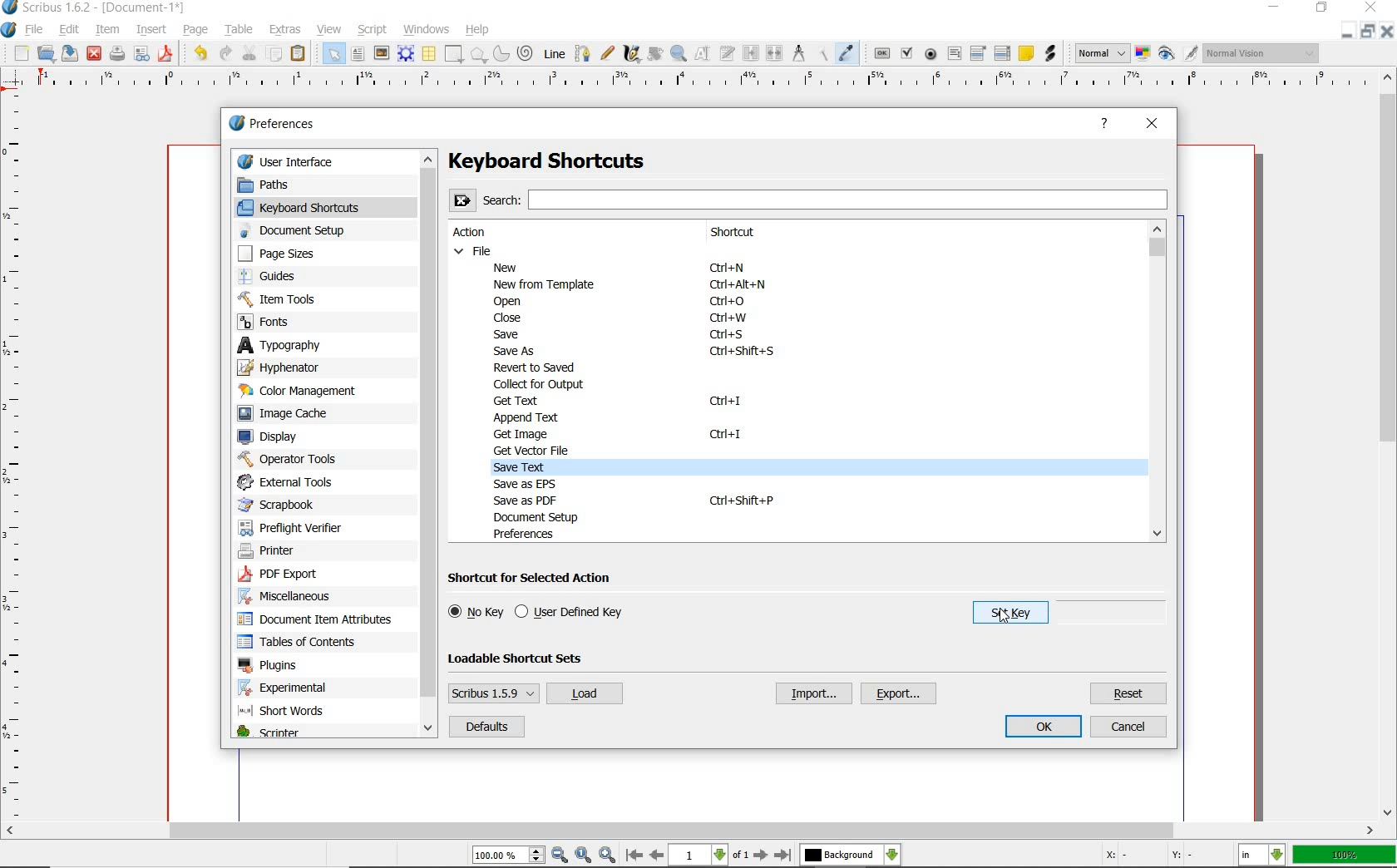 This screenshot has height=868, width=1397. Describe the element at coordinates (405, 54) in the screenshot. I see `render frame` at that location.